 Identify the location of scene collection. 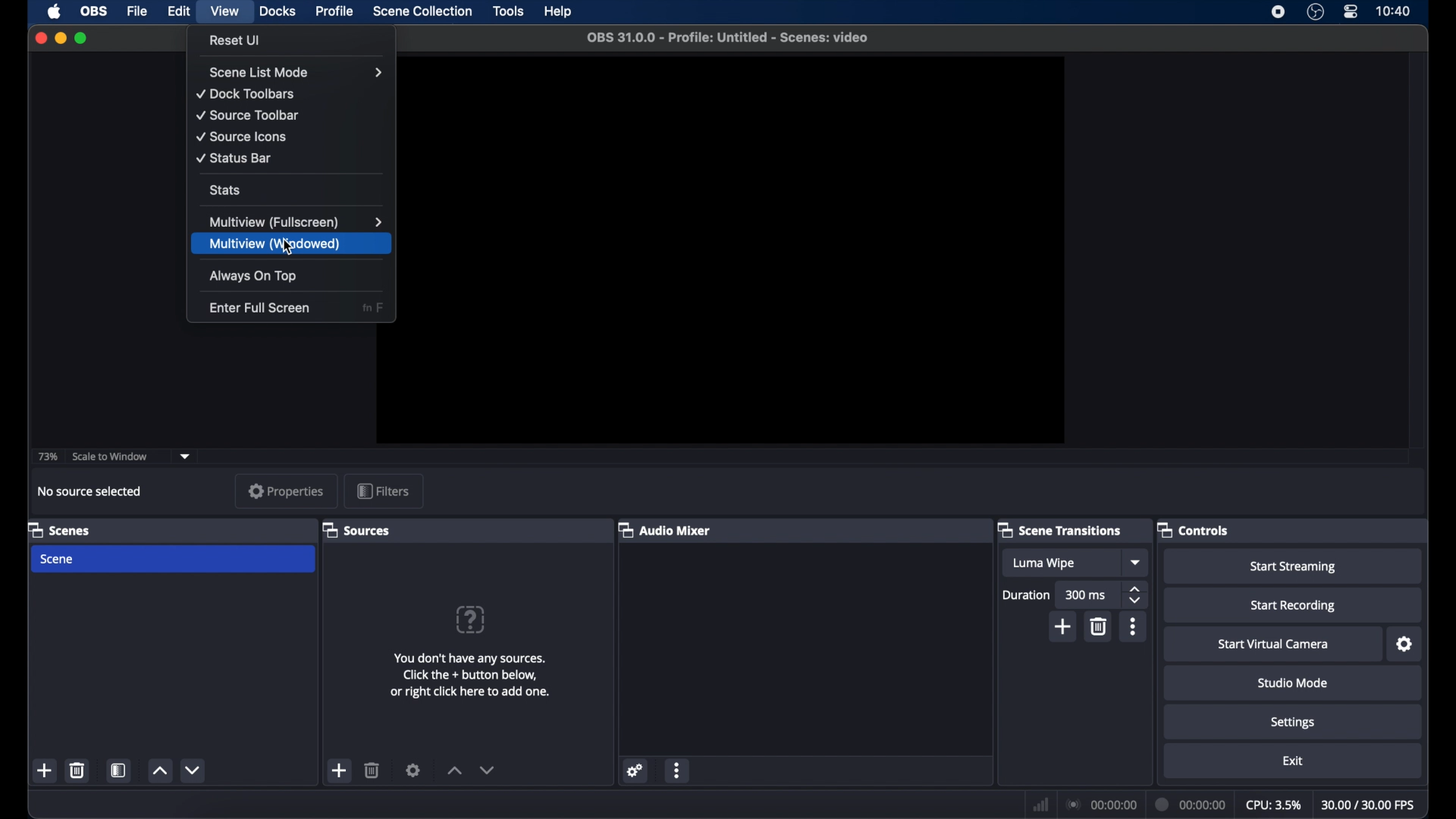
(422, 11).